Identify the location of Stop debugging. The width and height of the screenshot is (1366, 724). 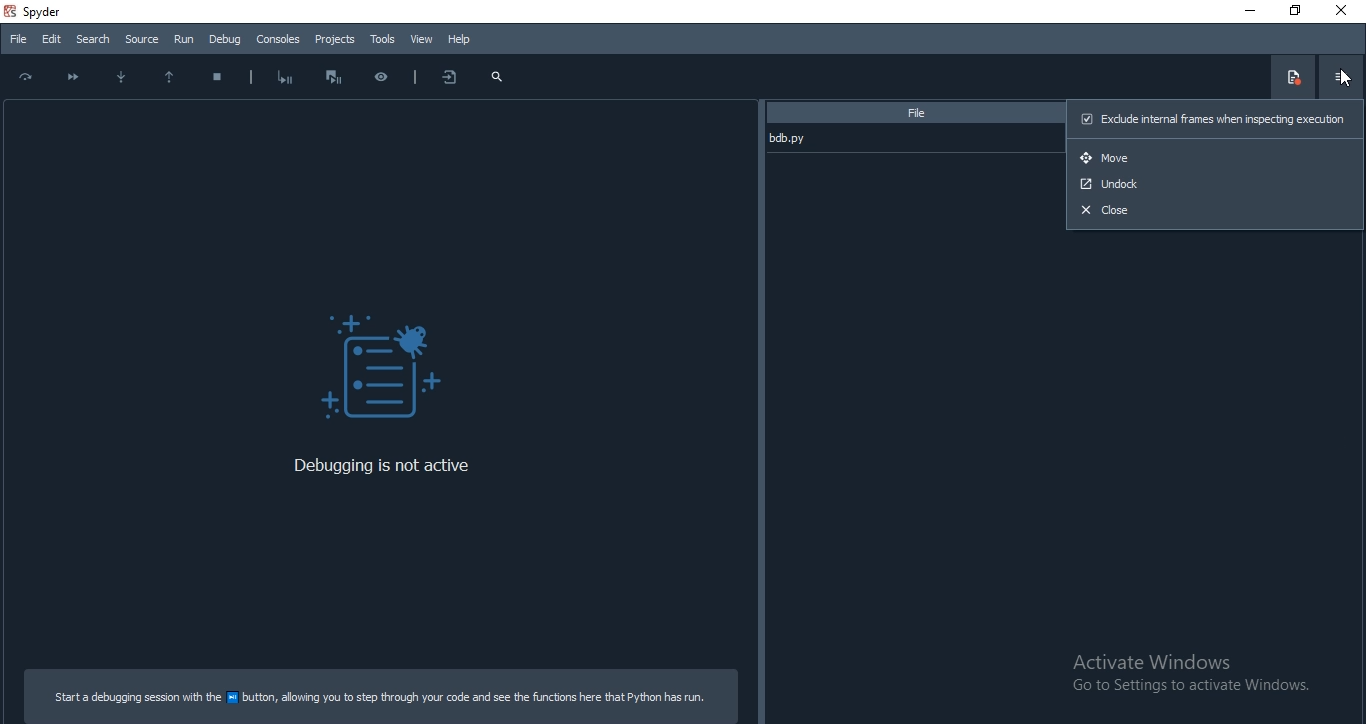
(218, 80).